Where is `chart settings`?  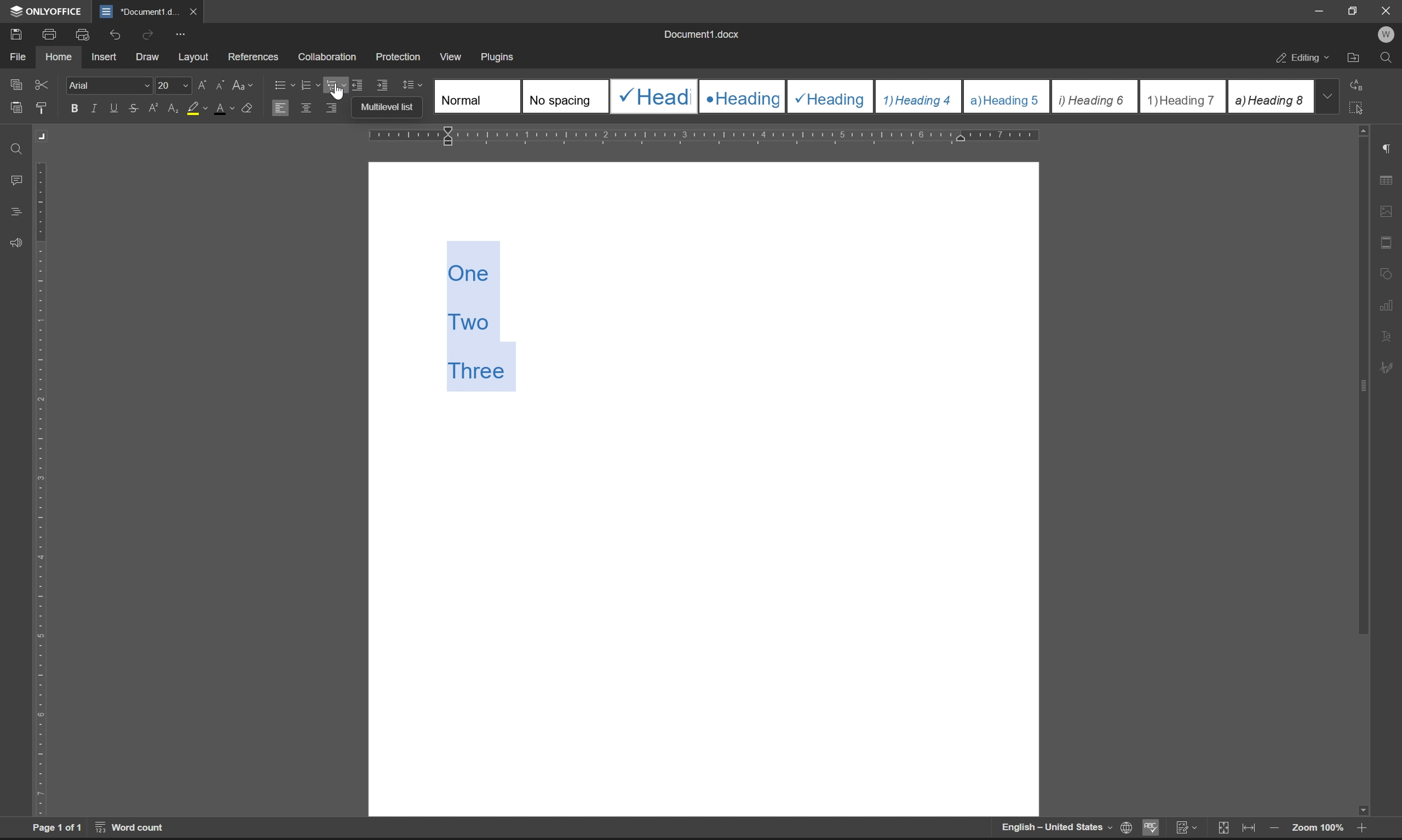
chart settings is located at coordinates (1387, 302).